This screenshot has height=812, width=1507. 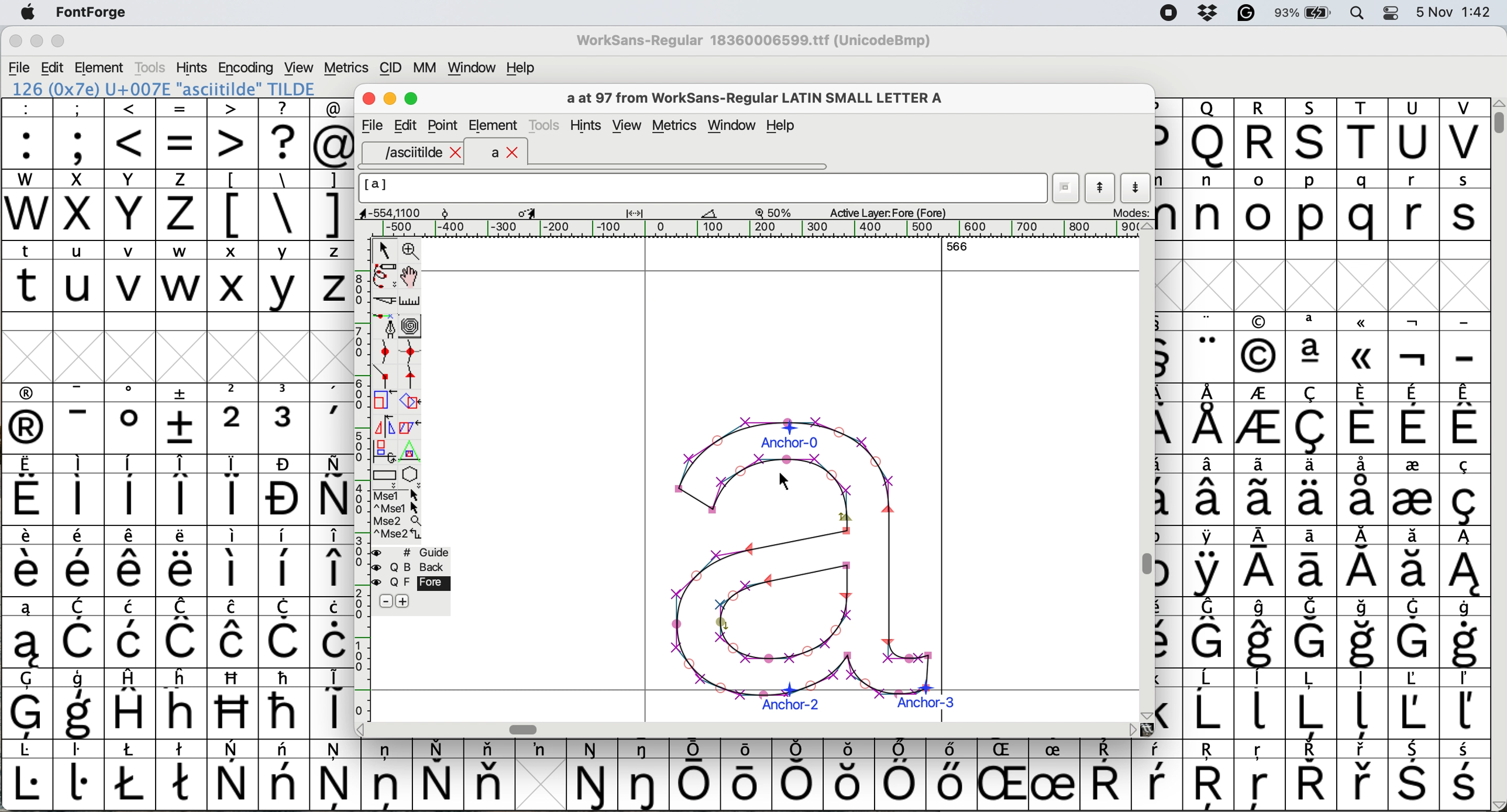 What do you see at coordinates (282, 277) in the screenshot?
I see `y` at bounding box center [282, 277].